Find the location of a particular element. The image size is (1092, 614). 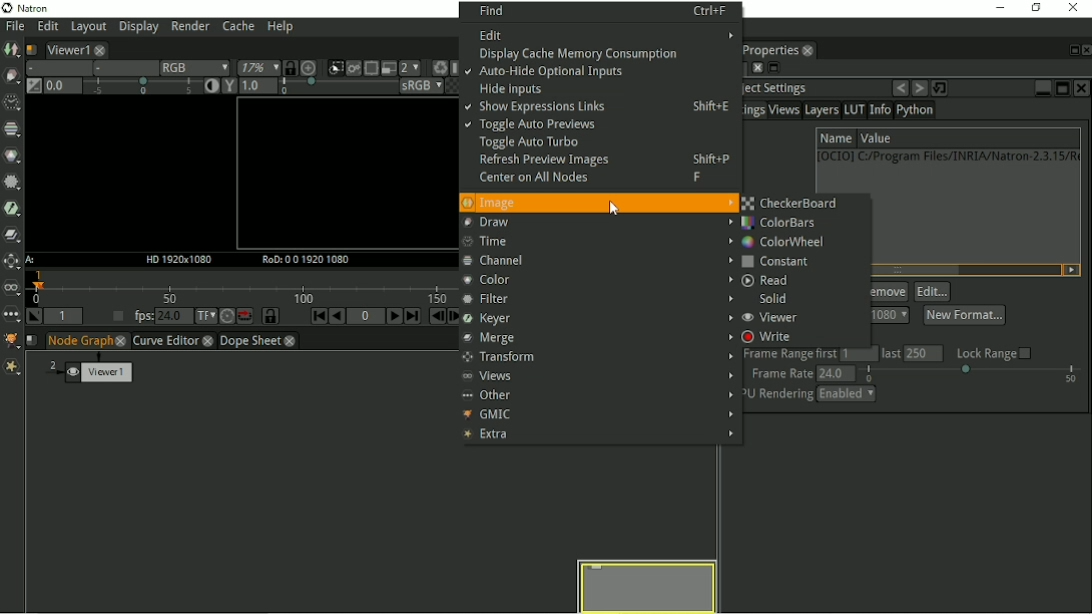

First frame is located at coordinates (311, 317).